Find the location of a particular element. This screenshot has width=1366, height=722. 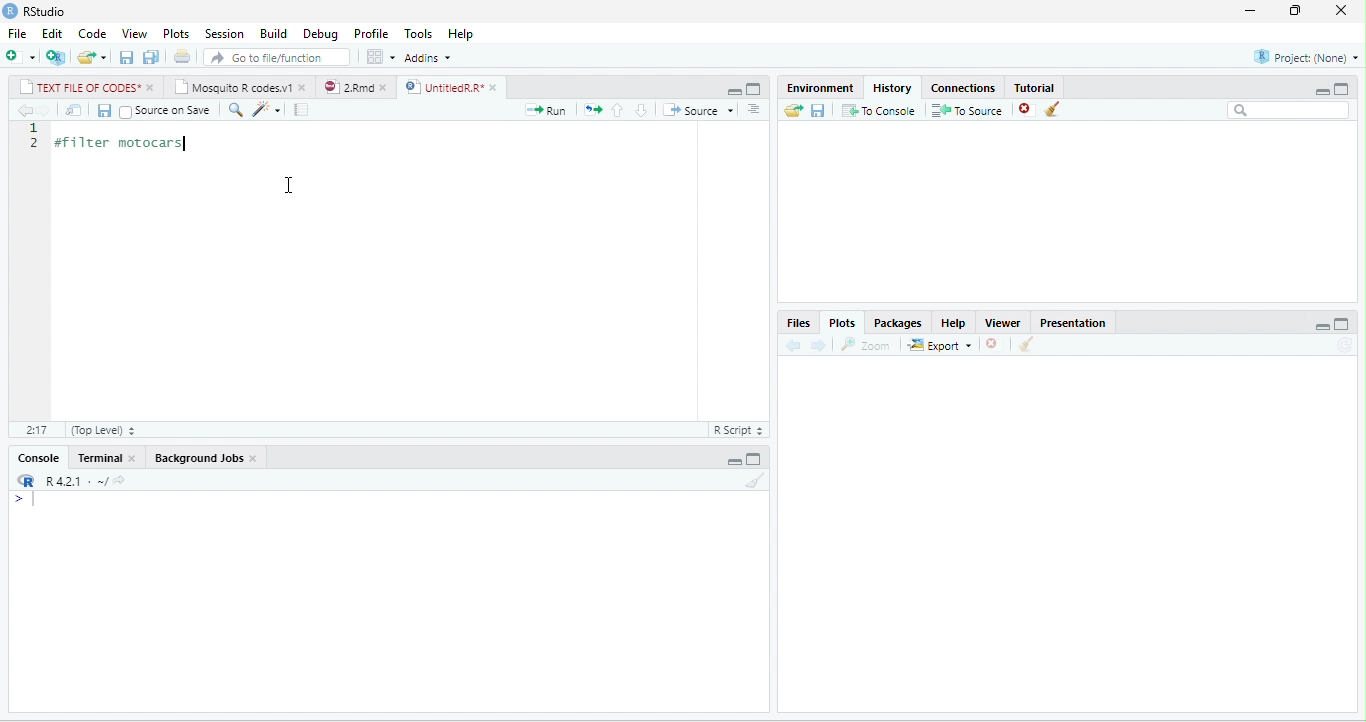

new file is located at coordinates (21, 56).